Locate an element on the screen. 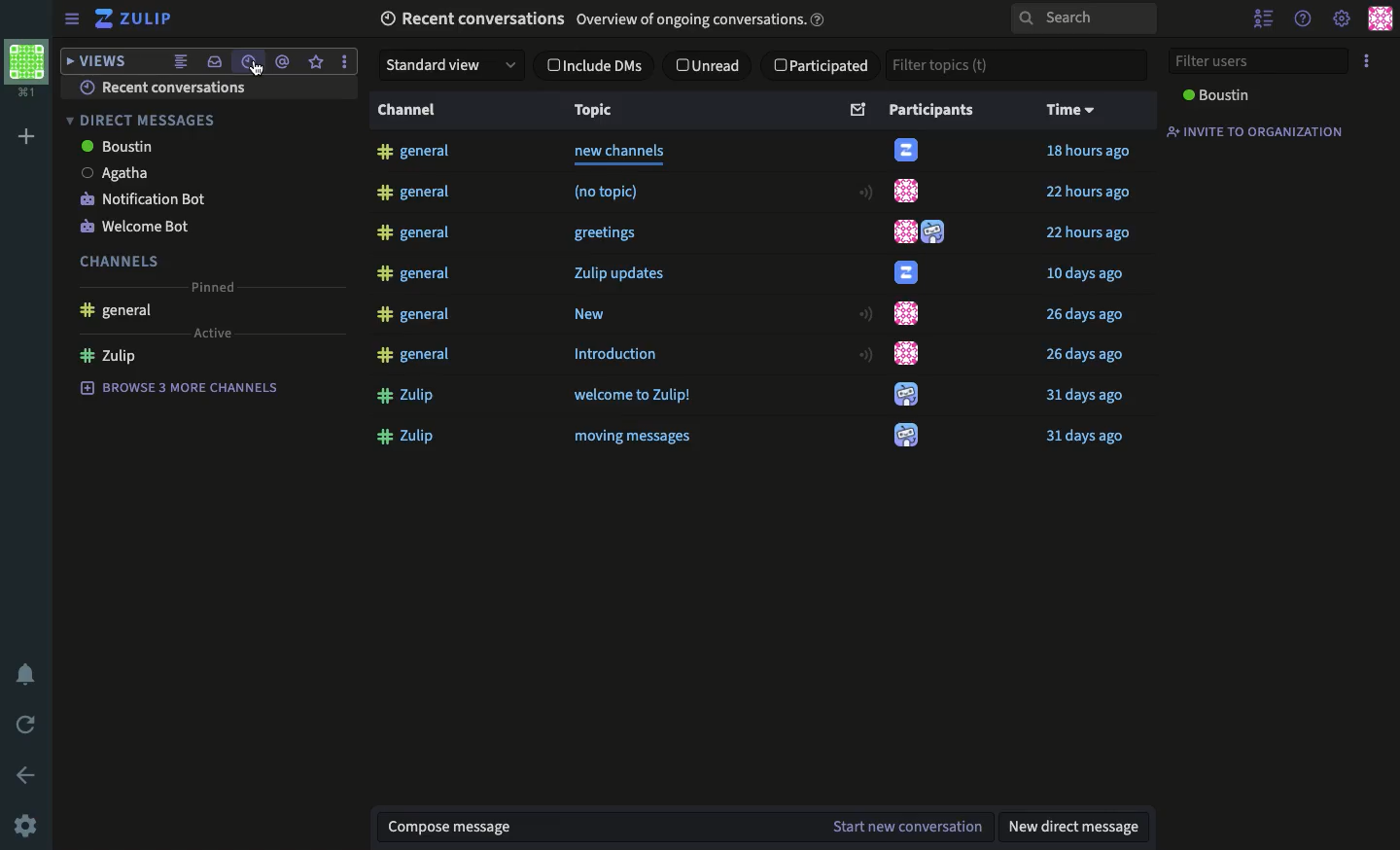  user profile is located at coordinates (908, 273).